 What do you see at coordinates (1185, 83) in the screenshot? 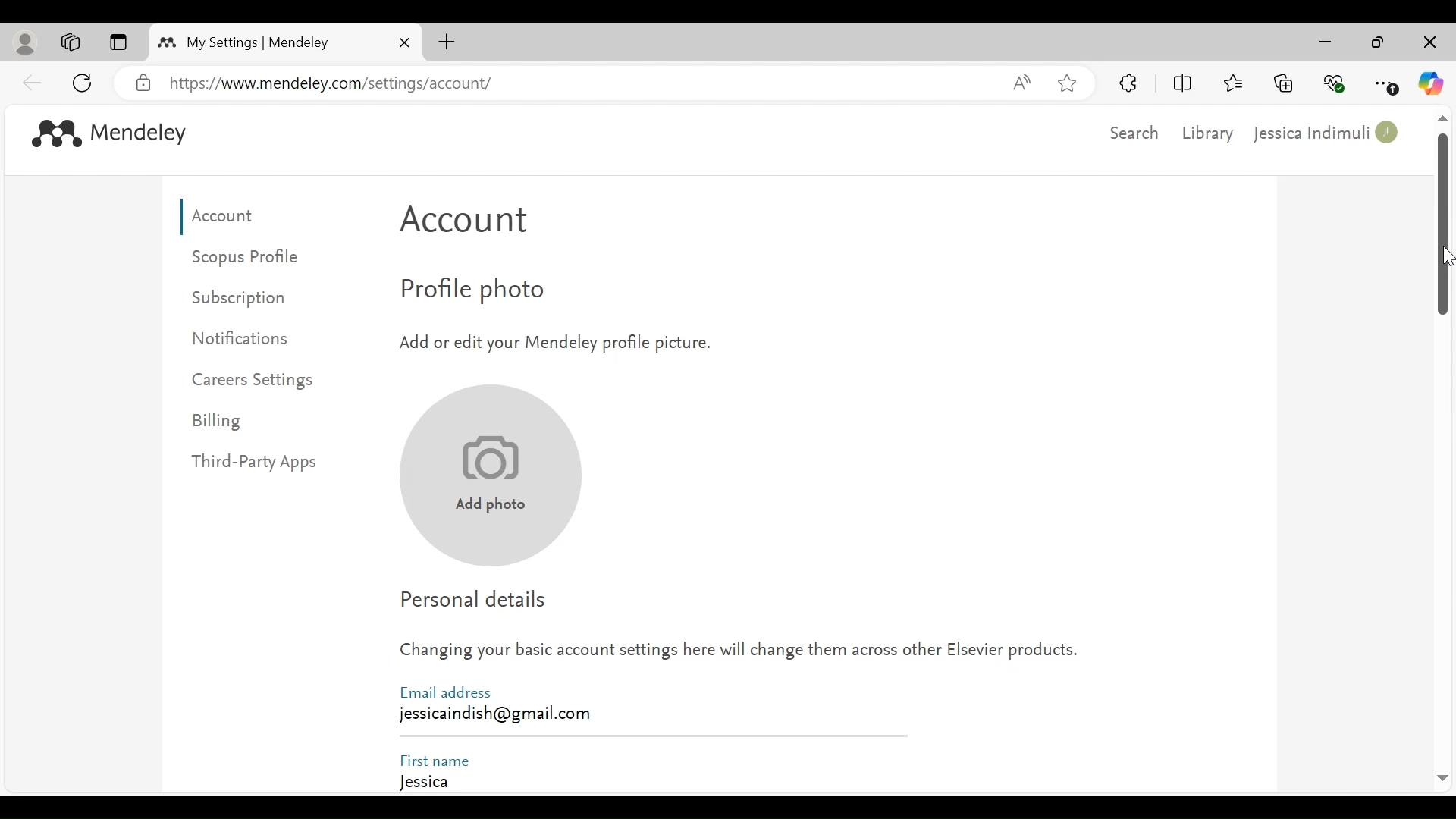
I see `Split Screen` at bounding box center [1185, 83].